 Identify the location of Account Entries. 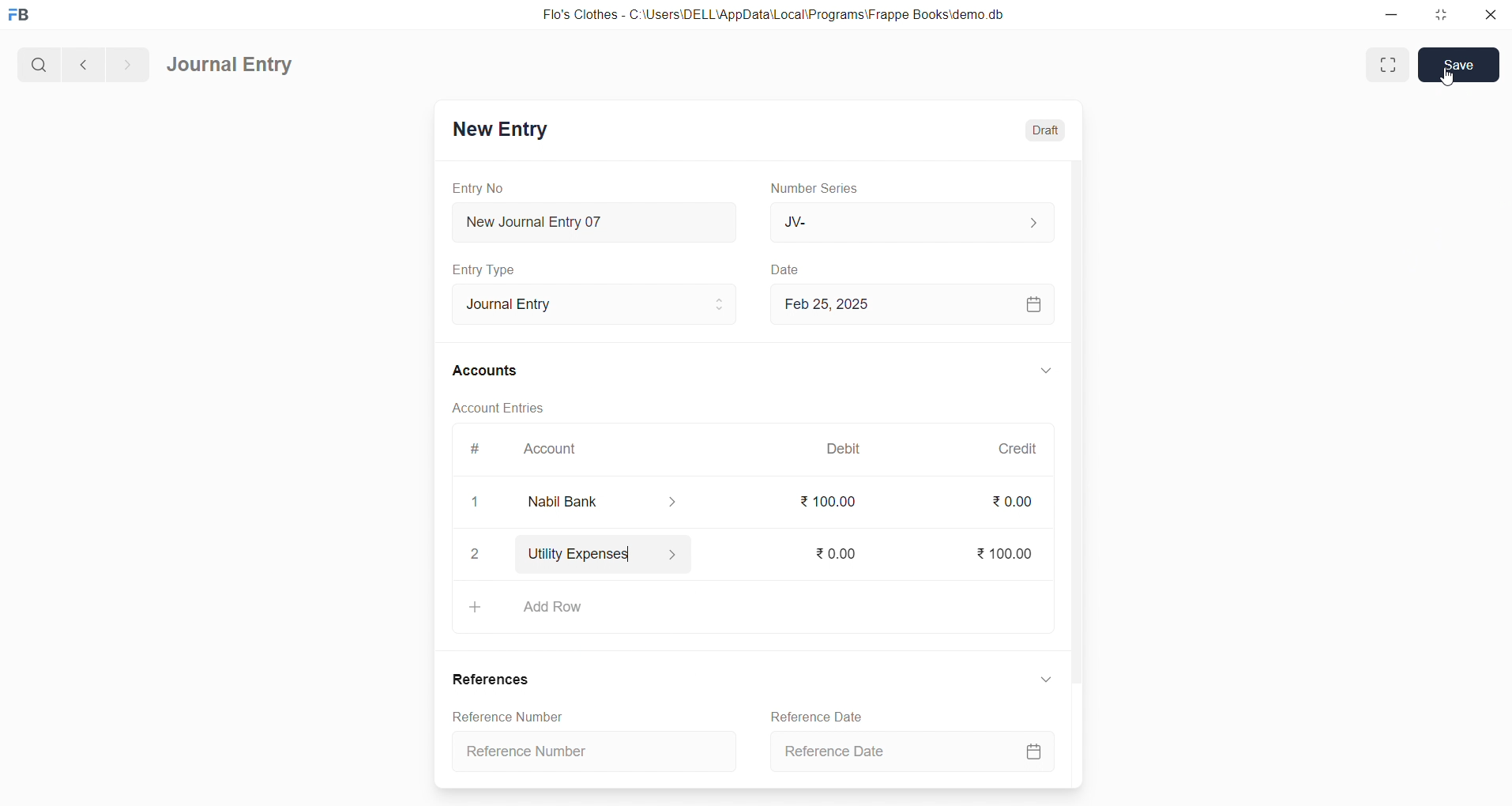
(490, 406).